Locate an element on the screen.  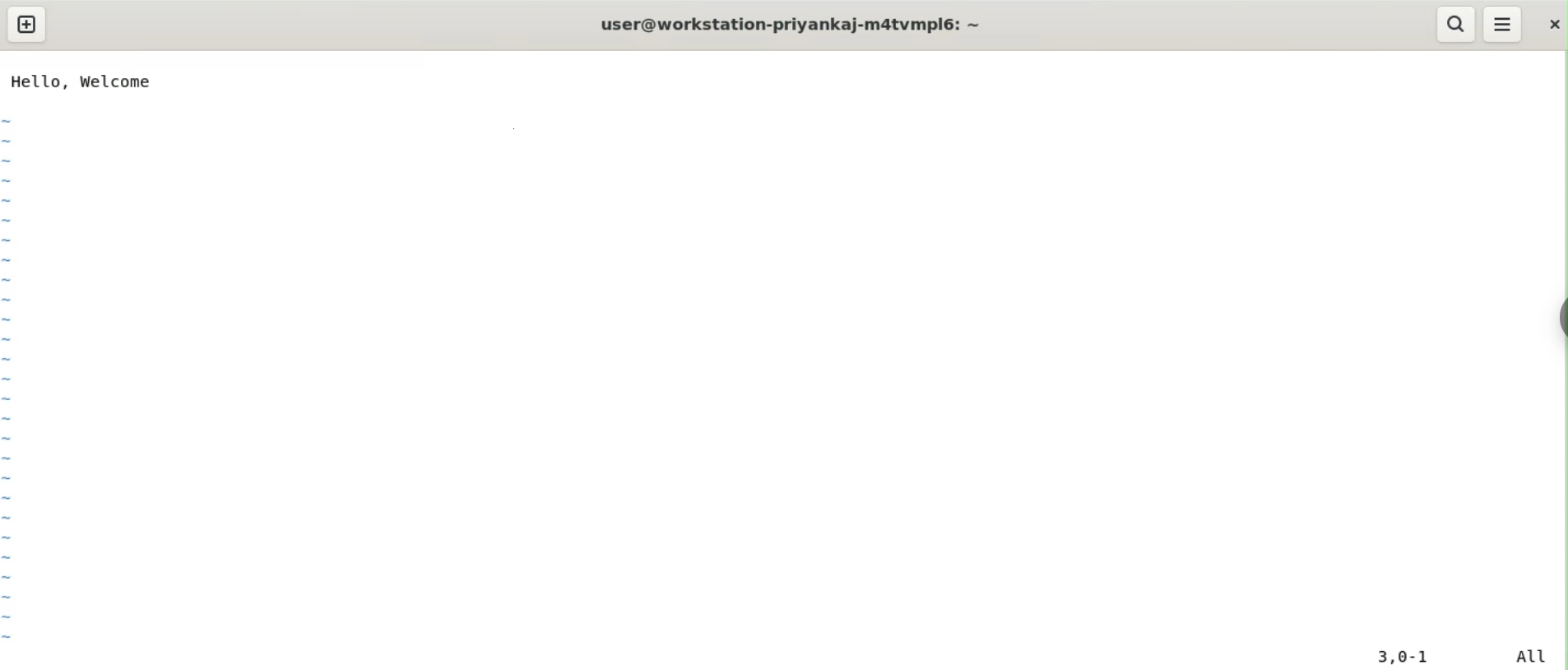
new tab is located at coordinates (26, 25).